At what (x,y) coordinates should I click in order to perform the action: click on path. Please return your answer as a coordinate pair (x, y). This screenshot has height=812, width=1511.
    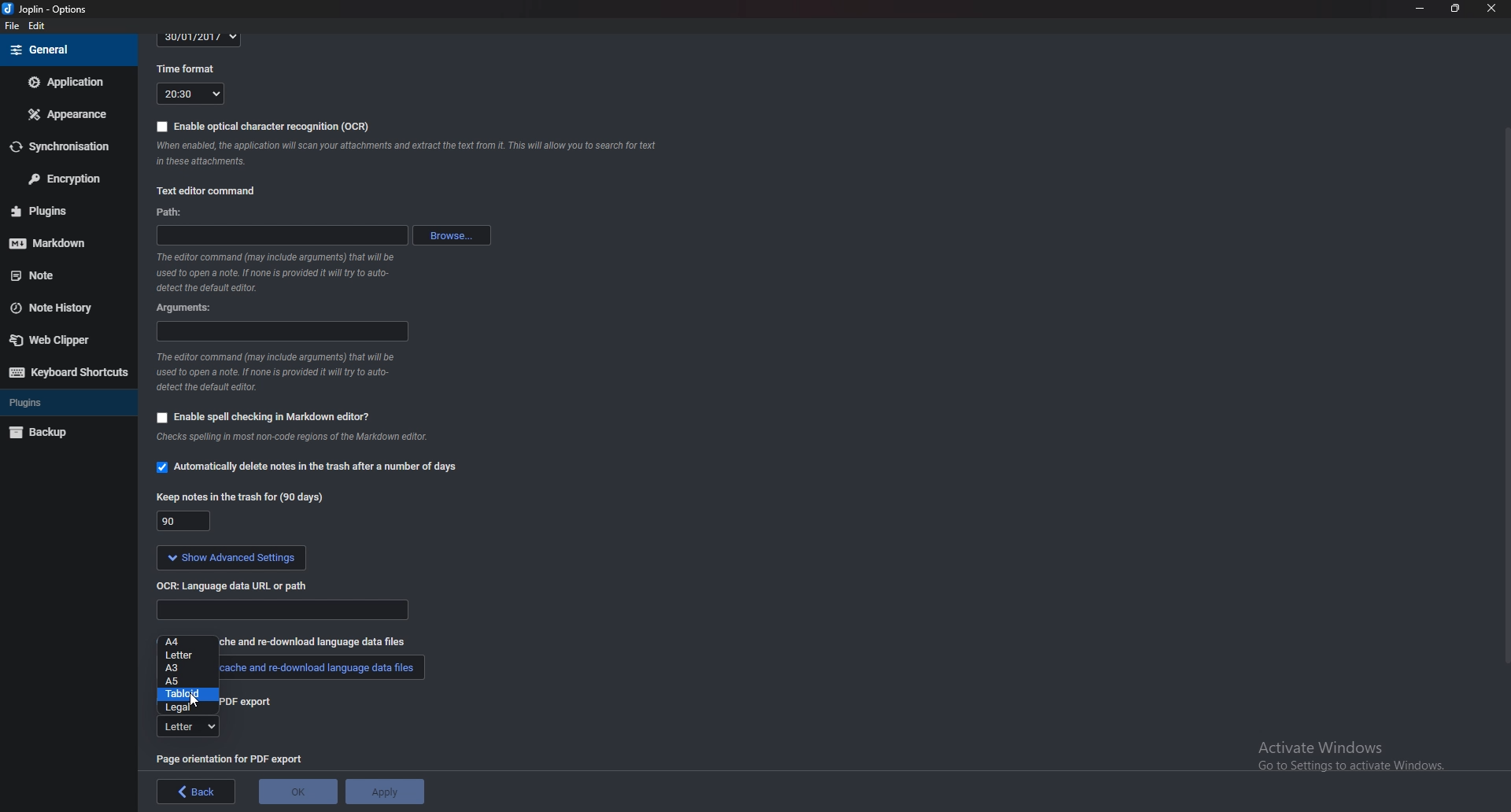
    Looking at the image, I should click on (282, 237).